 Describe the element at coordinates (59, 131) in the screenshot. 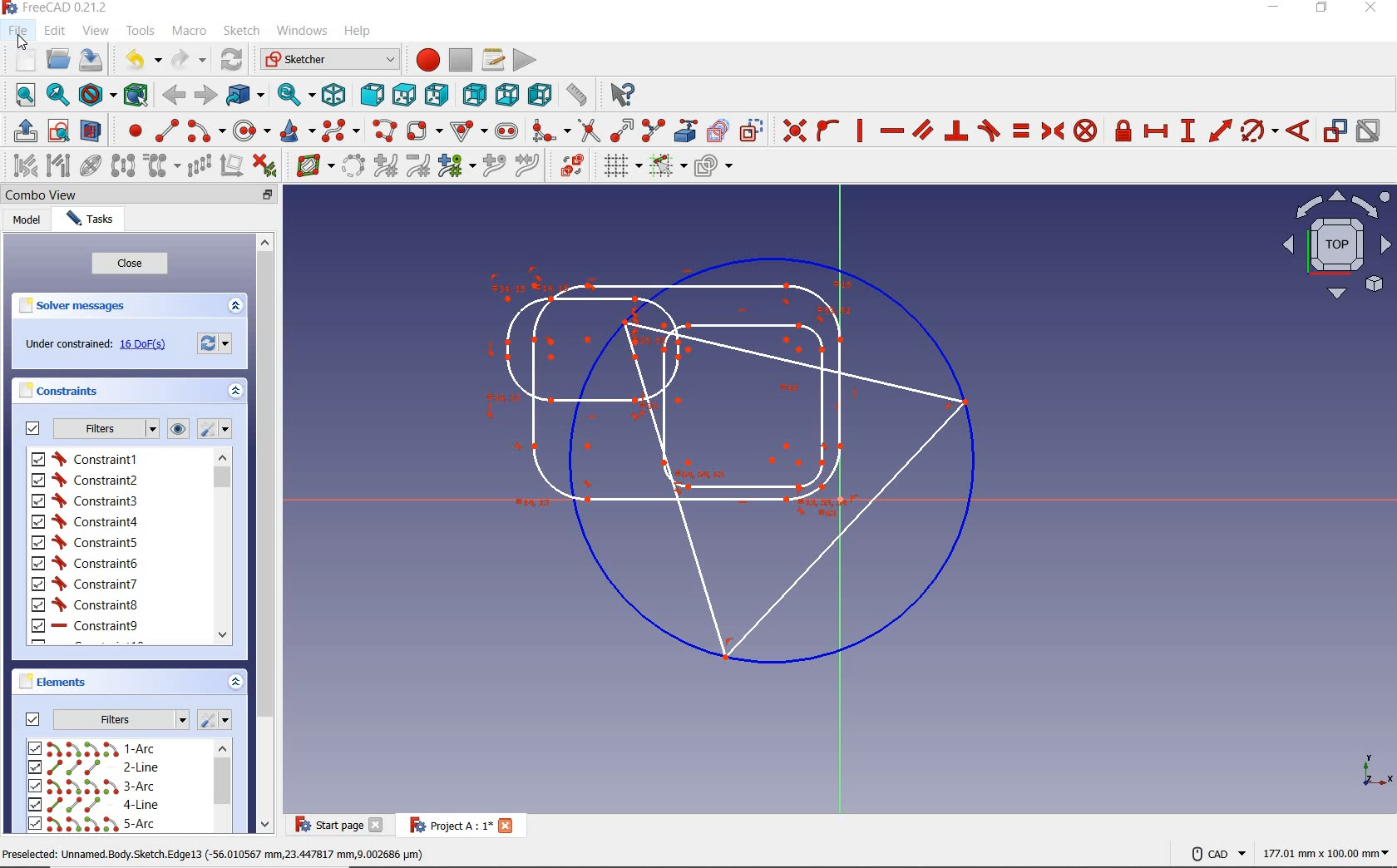

I see `view sketch` at that location.